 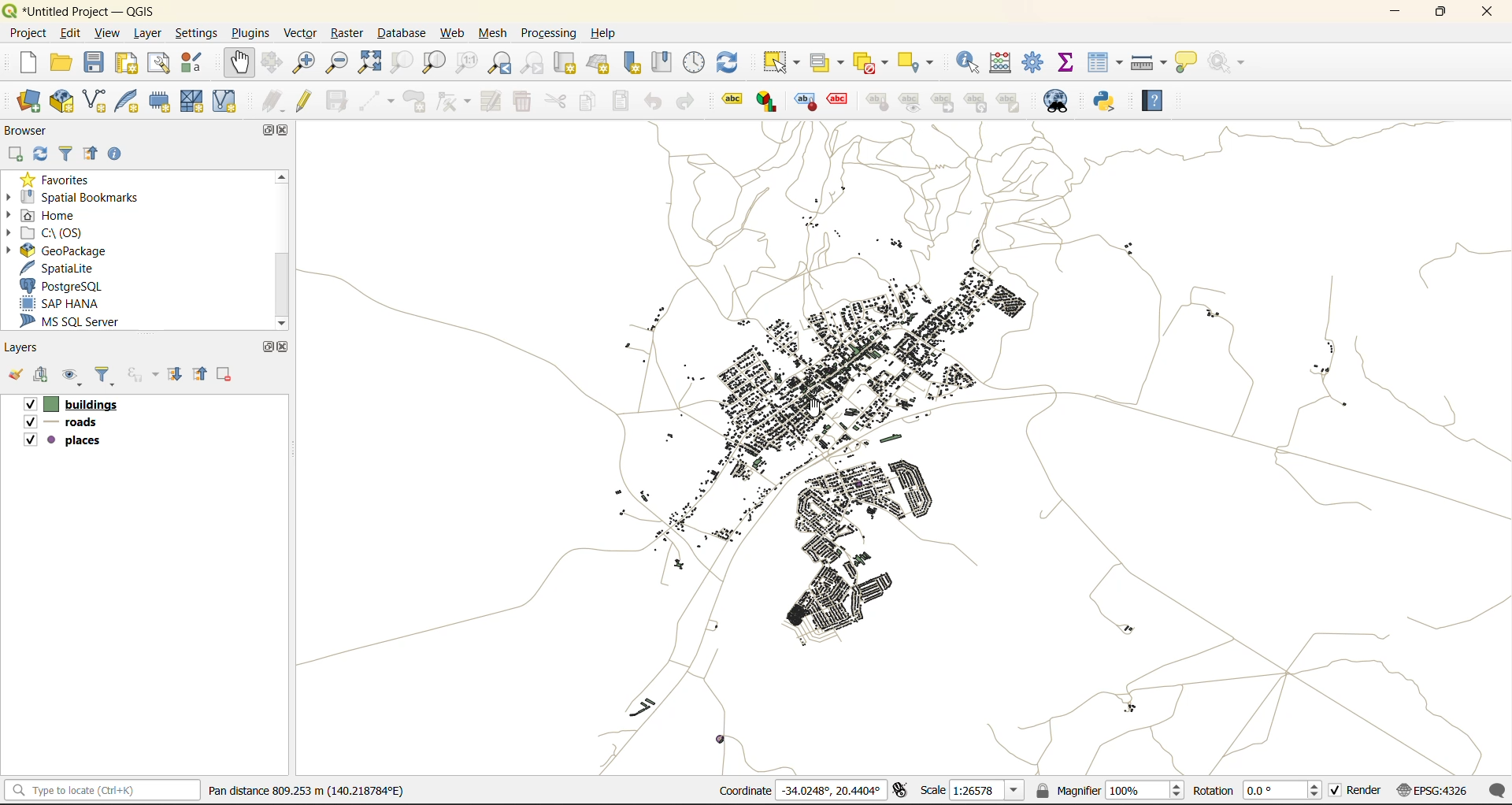 I want to click on favorites, so click(x=60, y=178).